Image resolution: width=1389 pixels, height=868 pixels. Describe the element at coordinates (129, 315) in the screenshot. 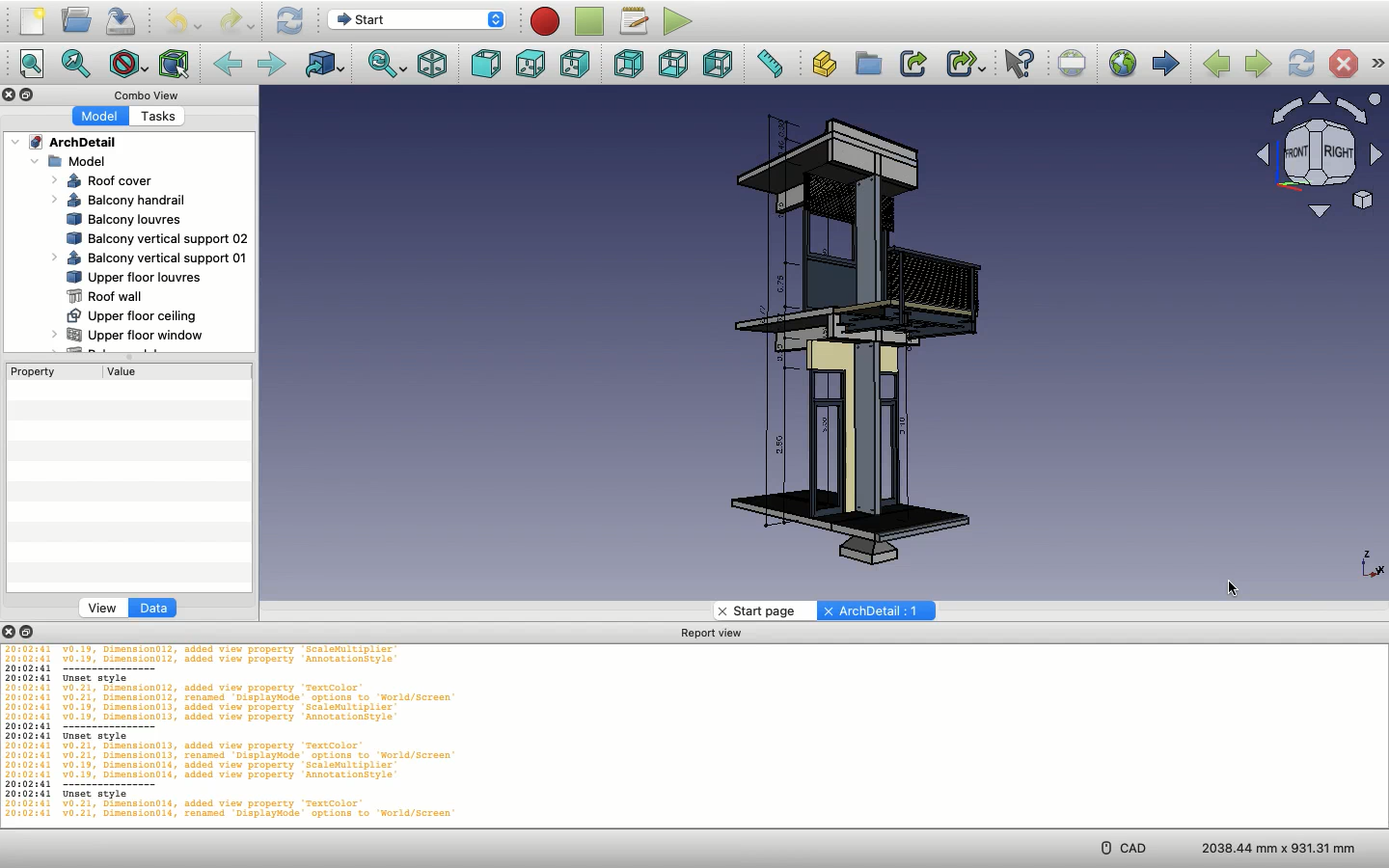

I see `Upper floor ceiling` at that location.